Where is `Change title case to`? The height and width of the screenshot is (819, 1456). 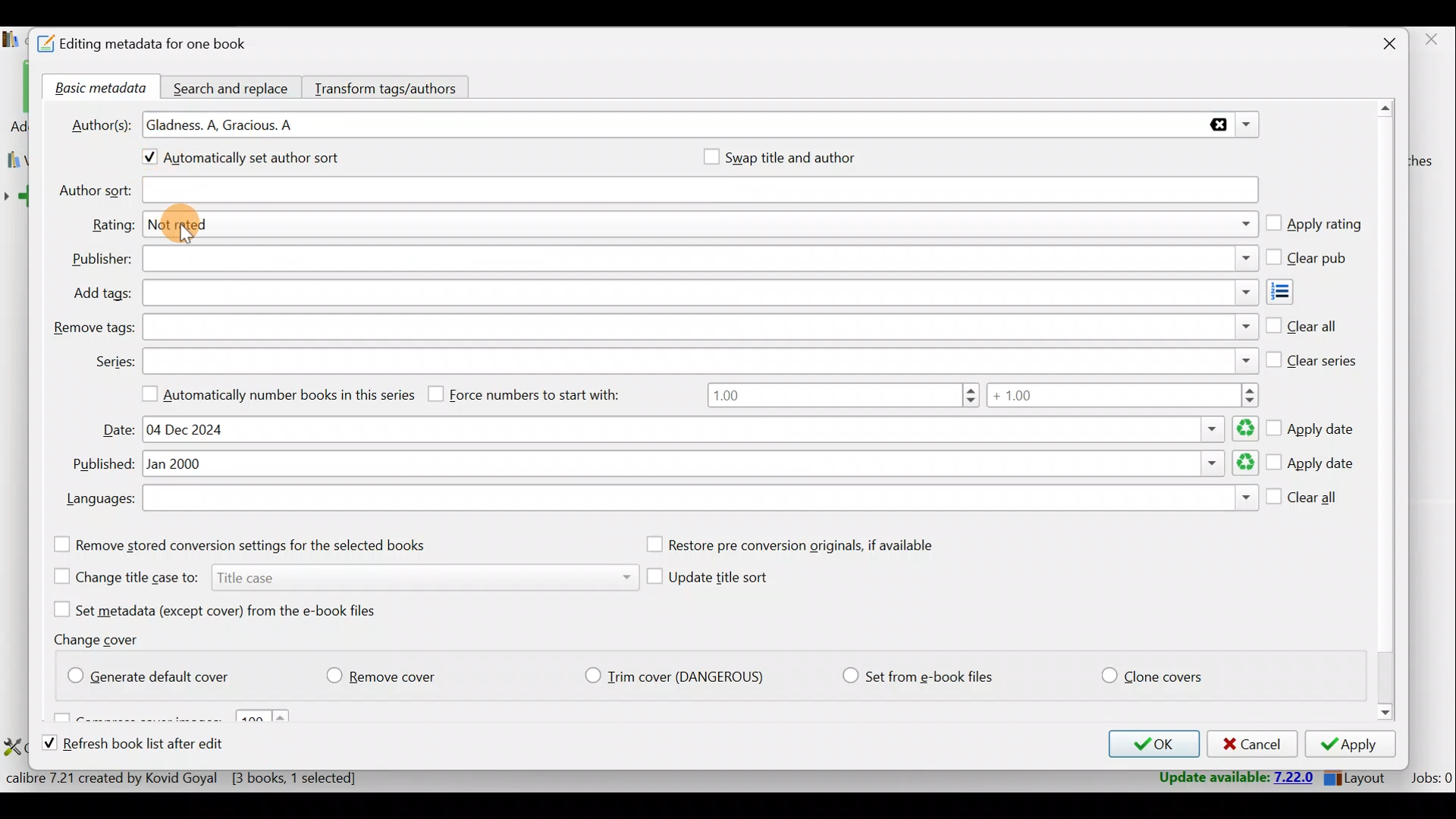 Change title case to is located at coordinates (339, 576).